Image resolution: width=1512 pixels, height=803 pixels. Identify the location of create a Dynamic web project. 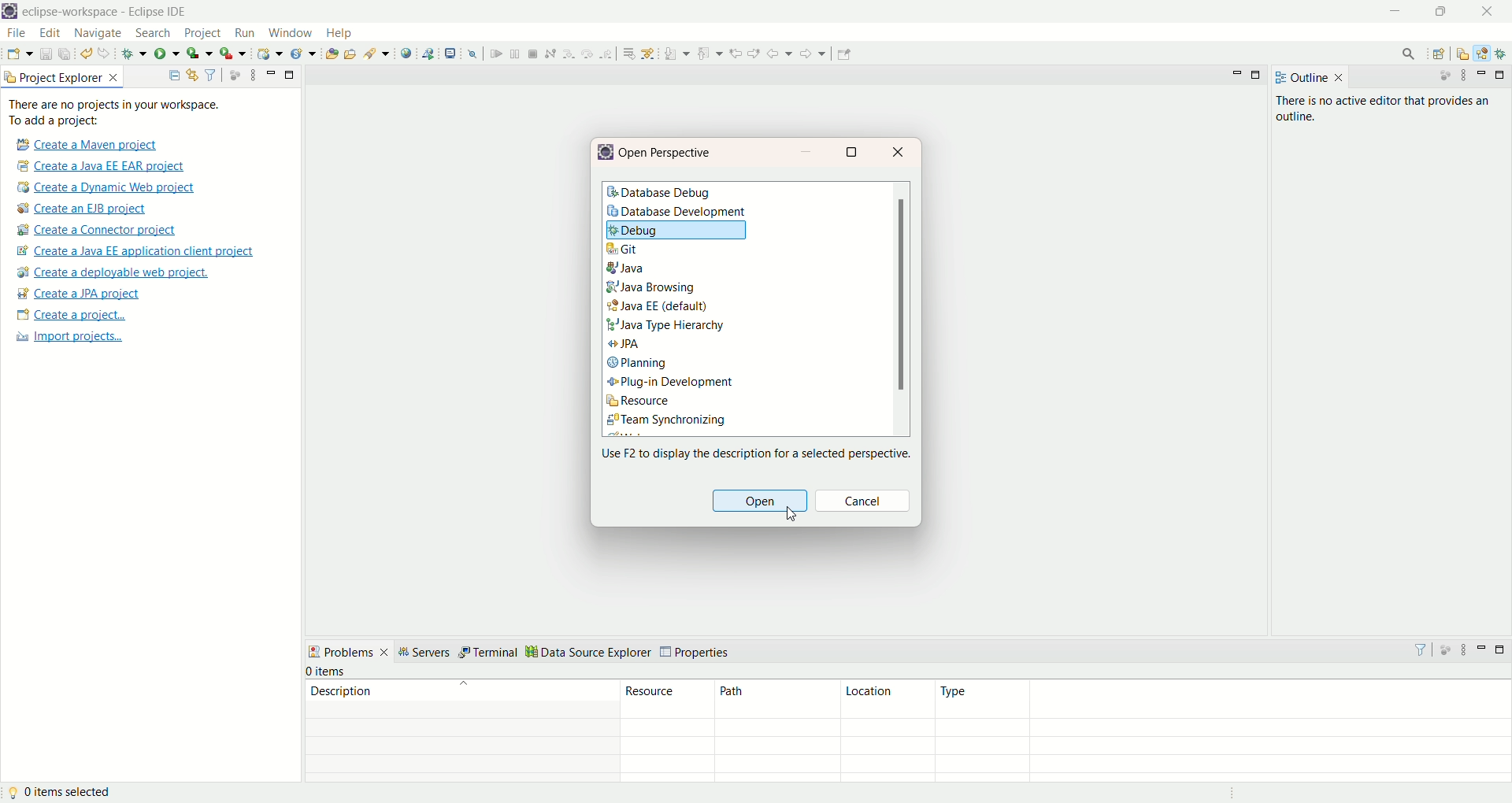
(106, 187).